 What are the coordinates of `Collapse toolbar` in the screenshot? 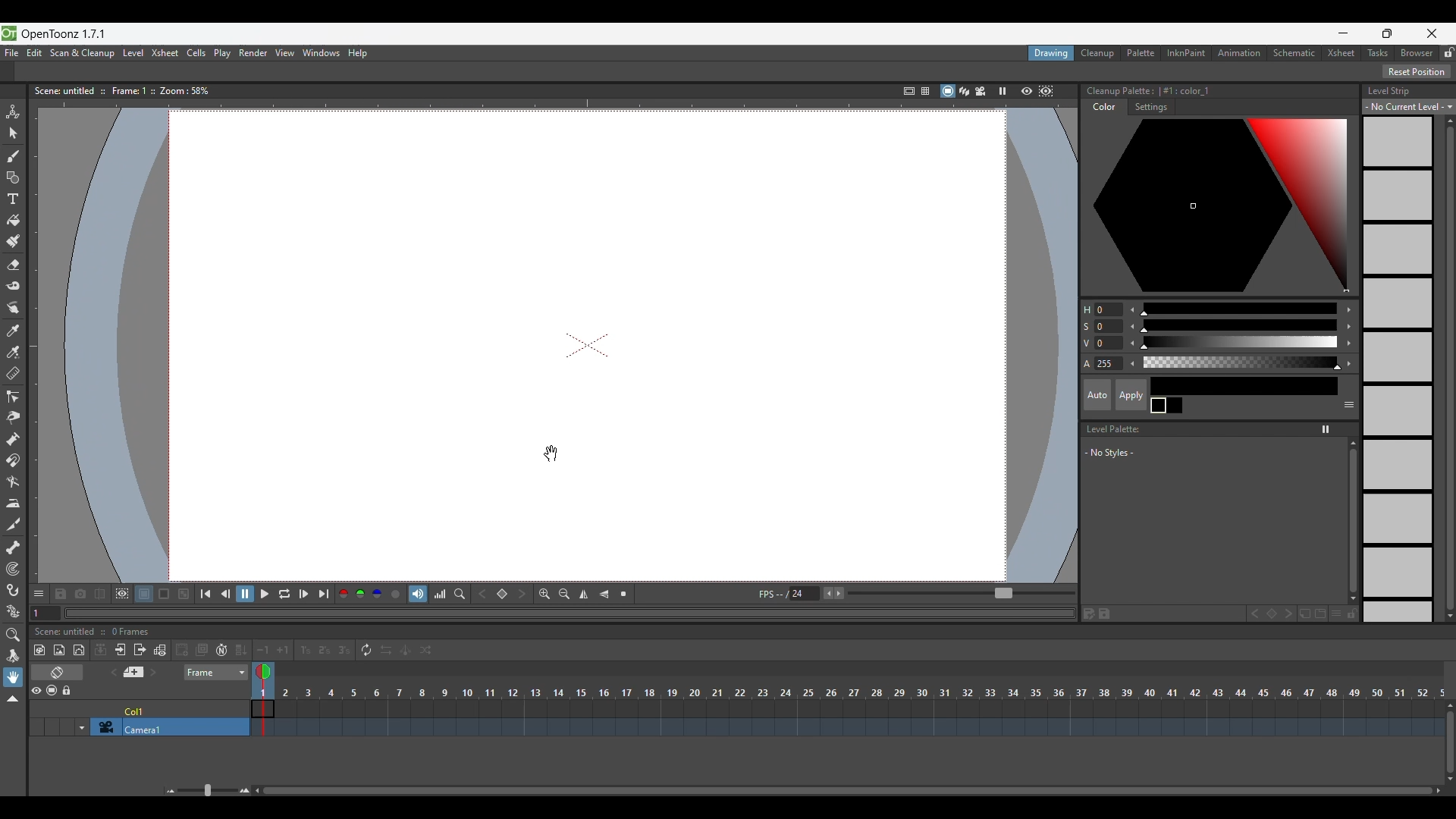 It's located at (13, 699).